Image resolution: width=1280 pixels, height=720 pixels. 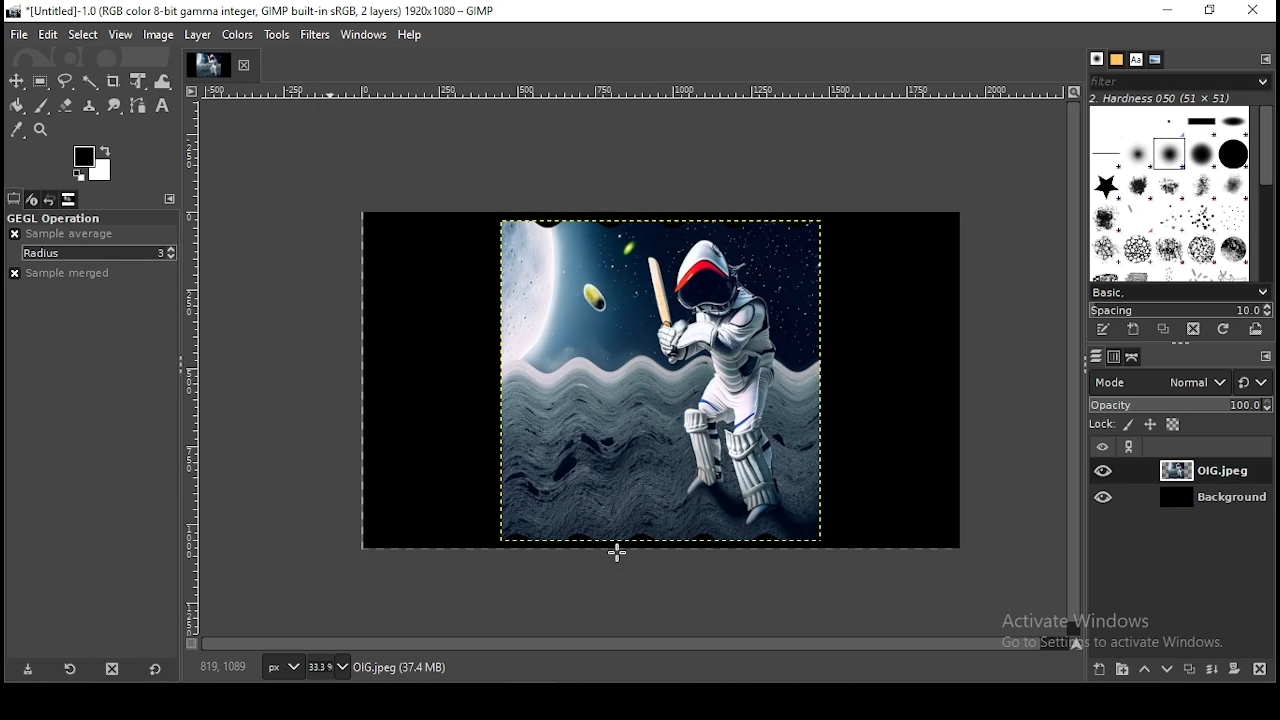 I want to click on free select tool, so click(x=67, y=82).